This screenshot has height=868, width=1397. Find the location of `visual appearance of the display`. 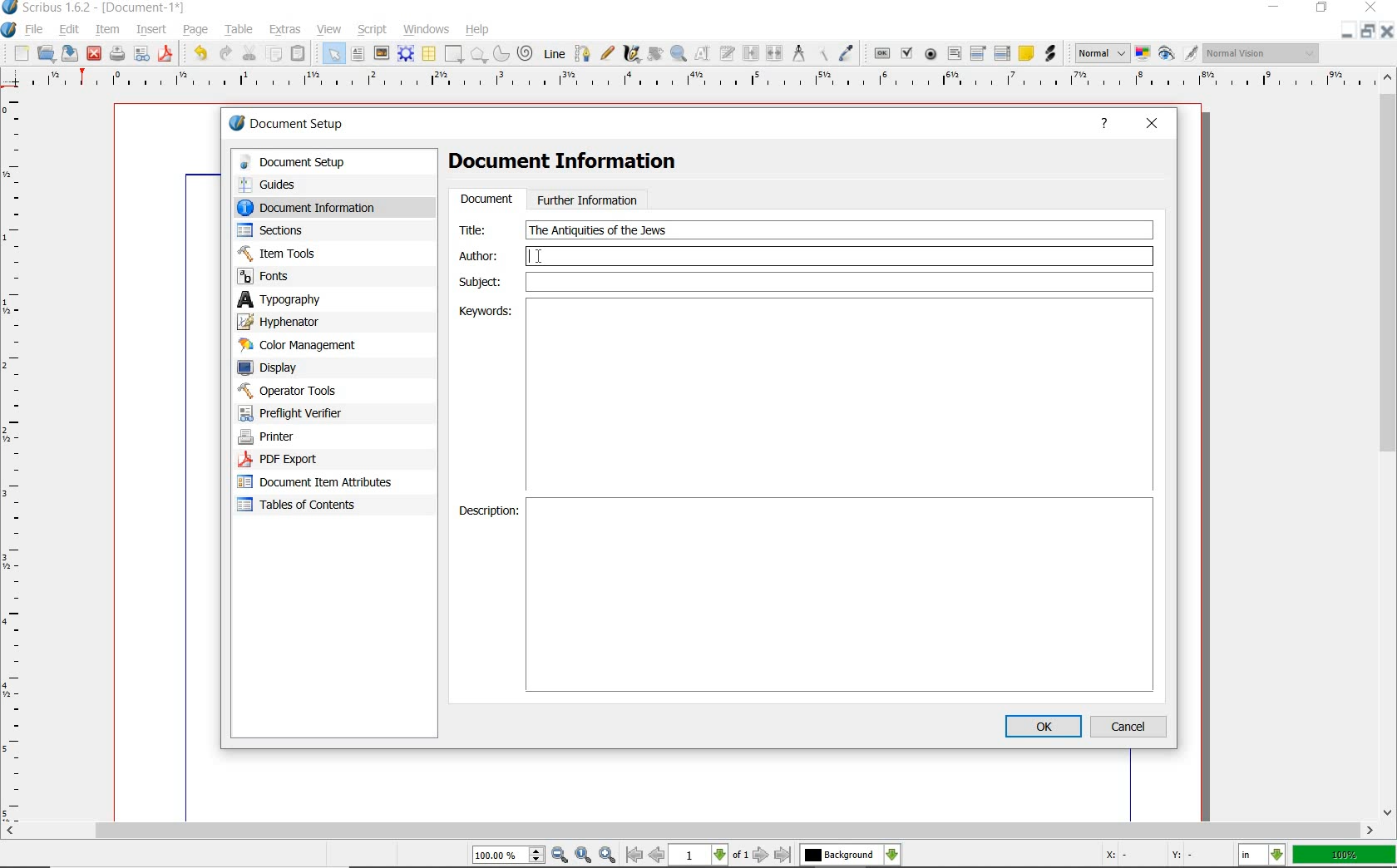

visual appearance of the display is located at coordinates (1262, 52).